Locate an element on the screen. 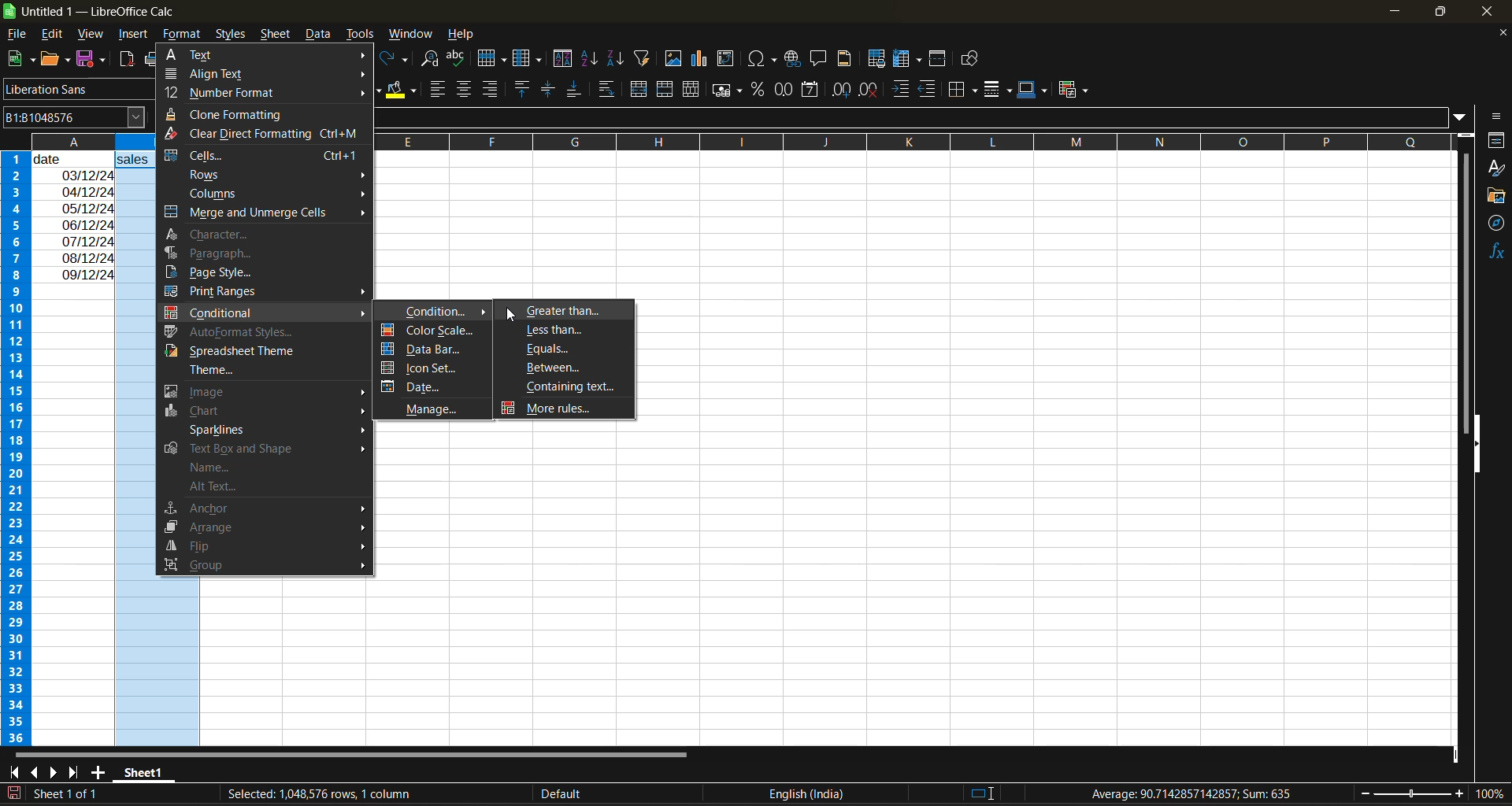  spreadsheet theme is located at coordinates (251, 350).